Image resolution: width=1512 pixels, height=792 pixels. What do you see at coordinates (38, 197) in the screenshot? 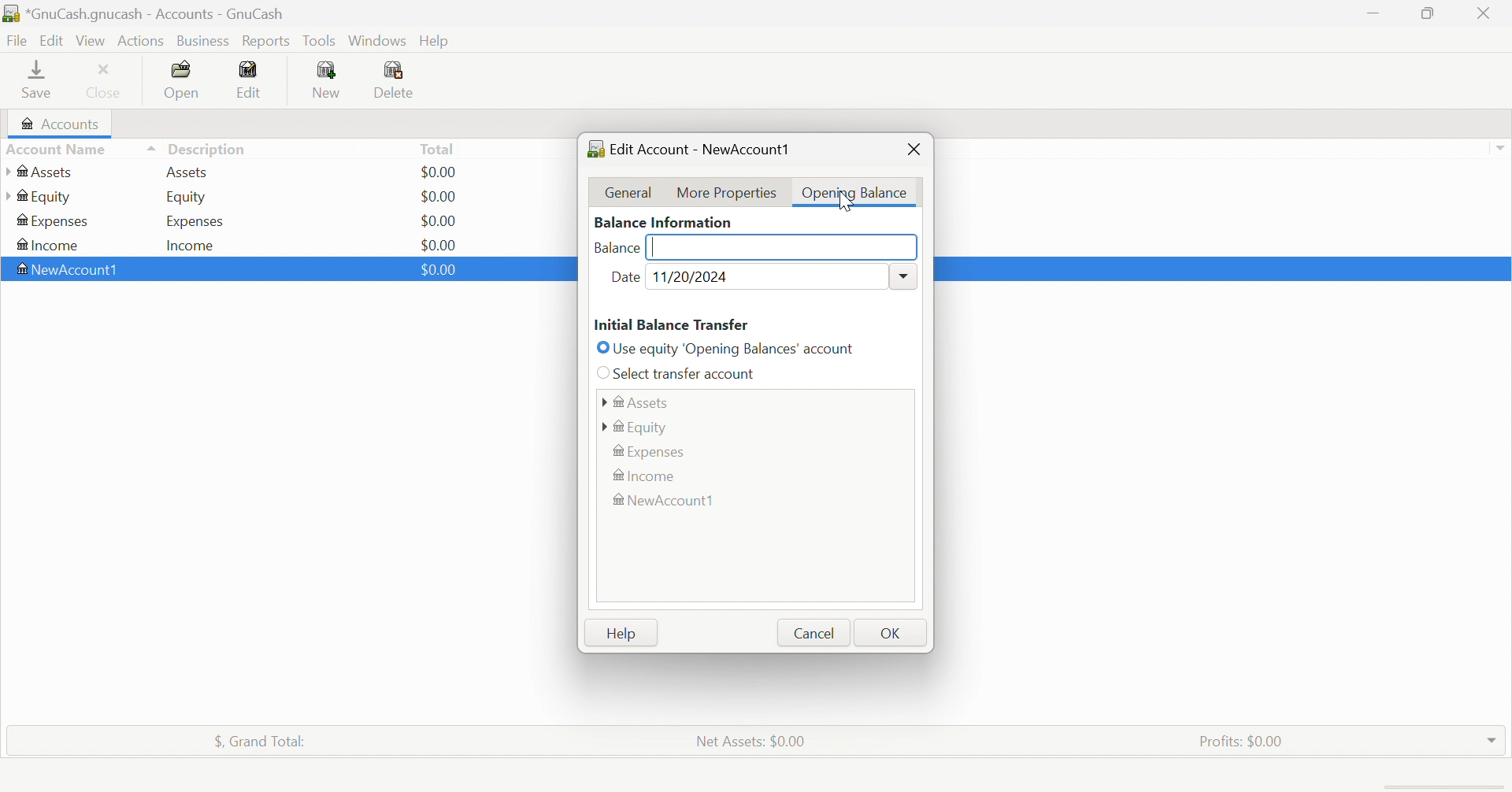
I see `Equity` at bounding box center [38, 197].